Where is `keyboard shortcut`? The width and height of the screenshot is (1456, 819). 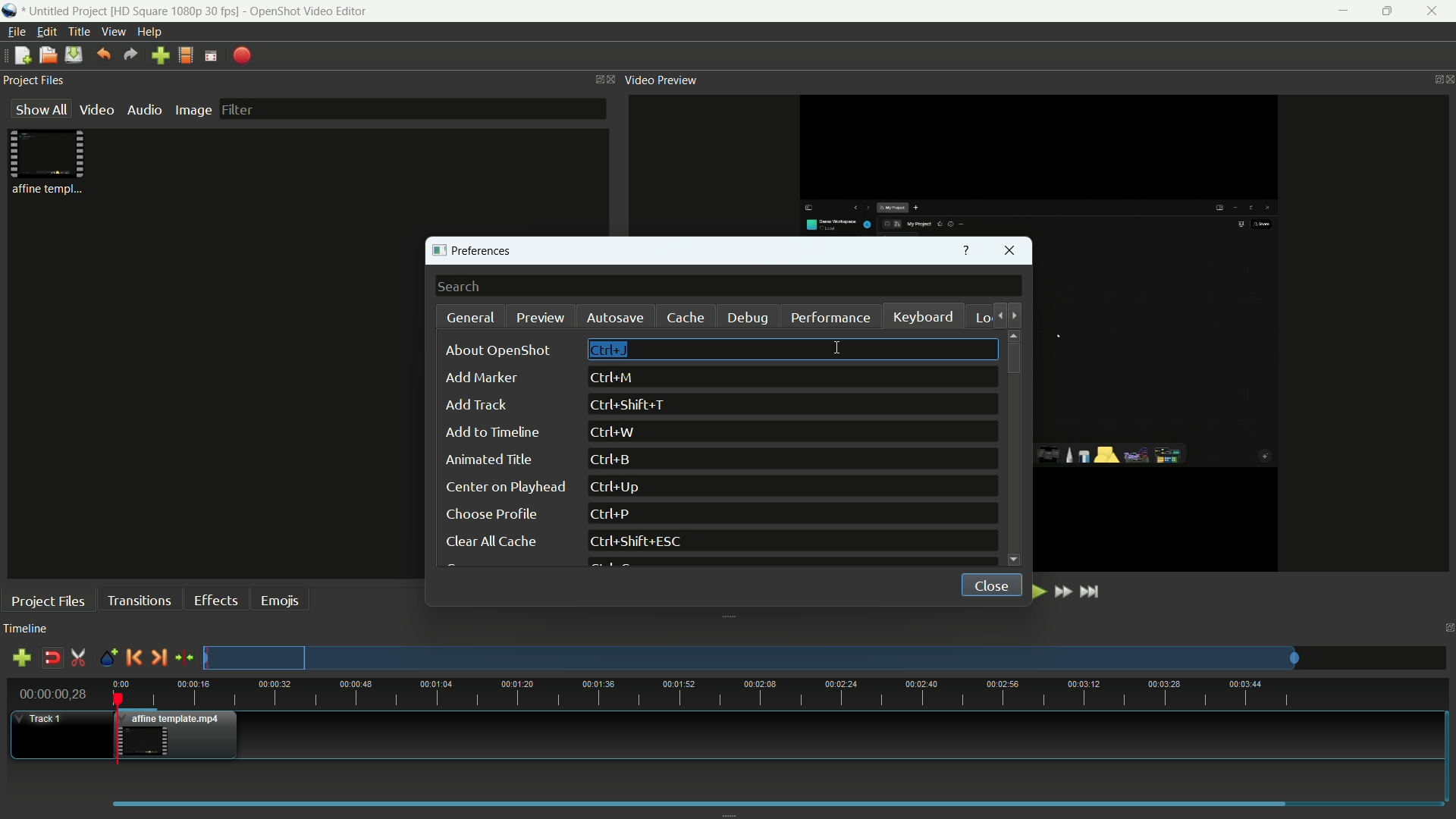 keyboard shortcut is located at coordinates (613, 378).